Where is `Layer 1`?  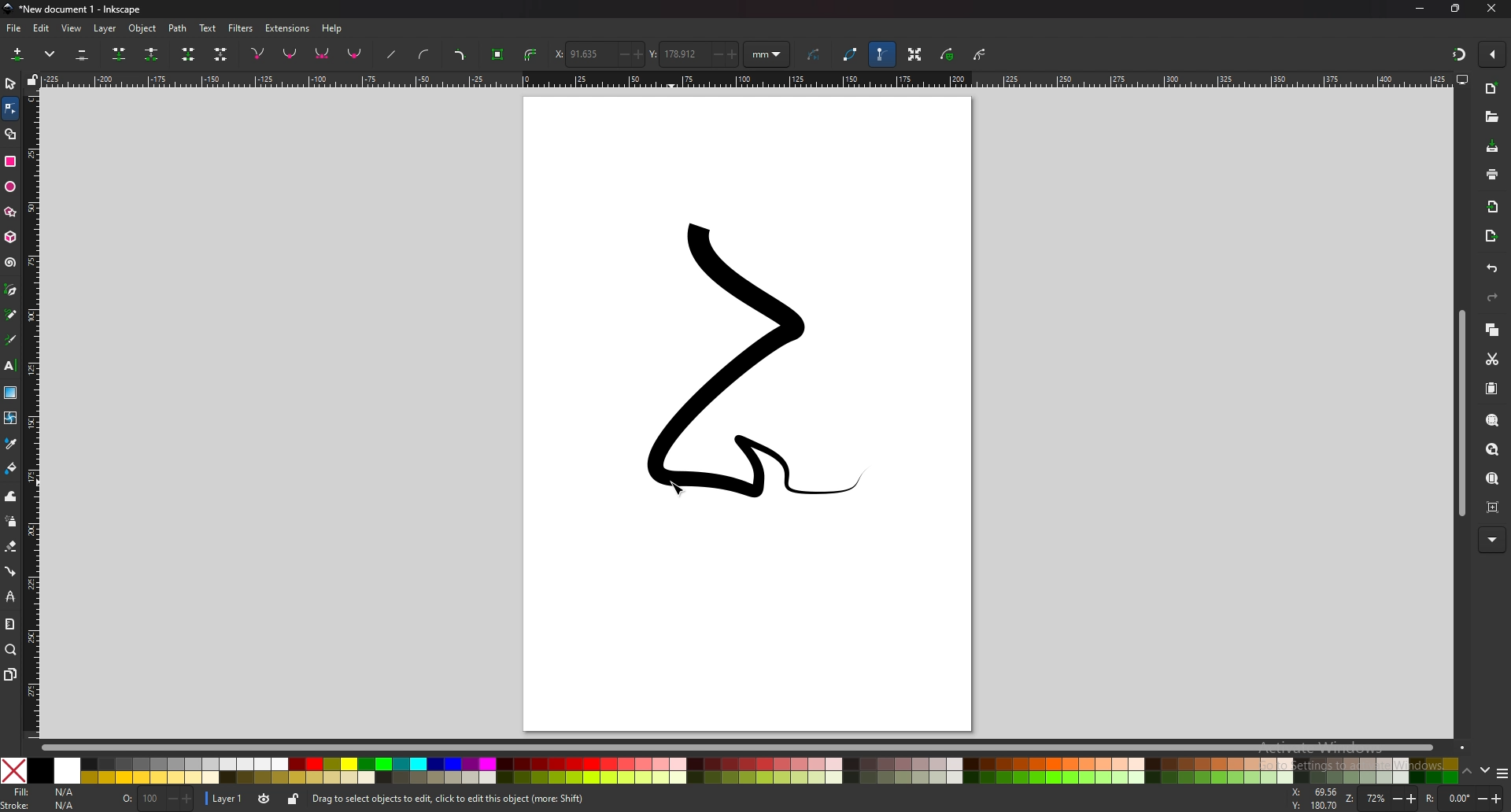 Layer 1 is located at coordinates (238, 800).